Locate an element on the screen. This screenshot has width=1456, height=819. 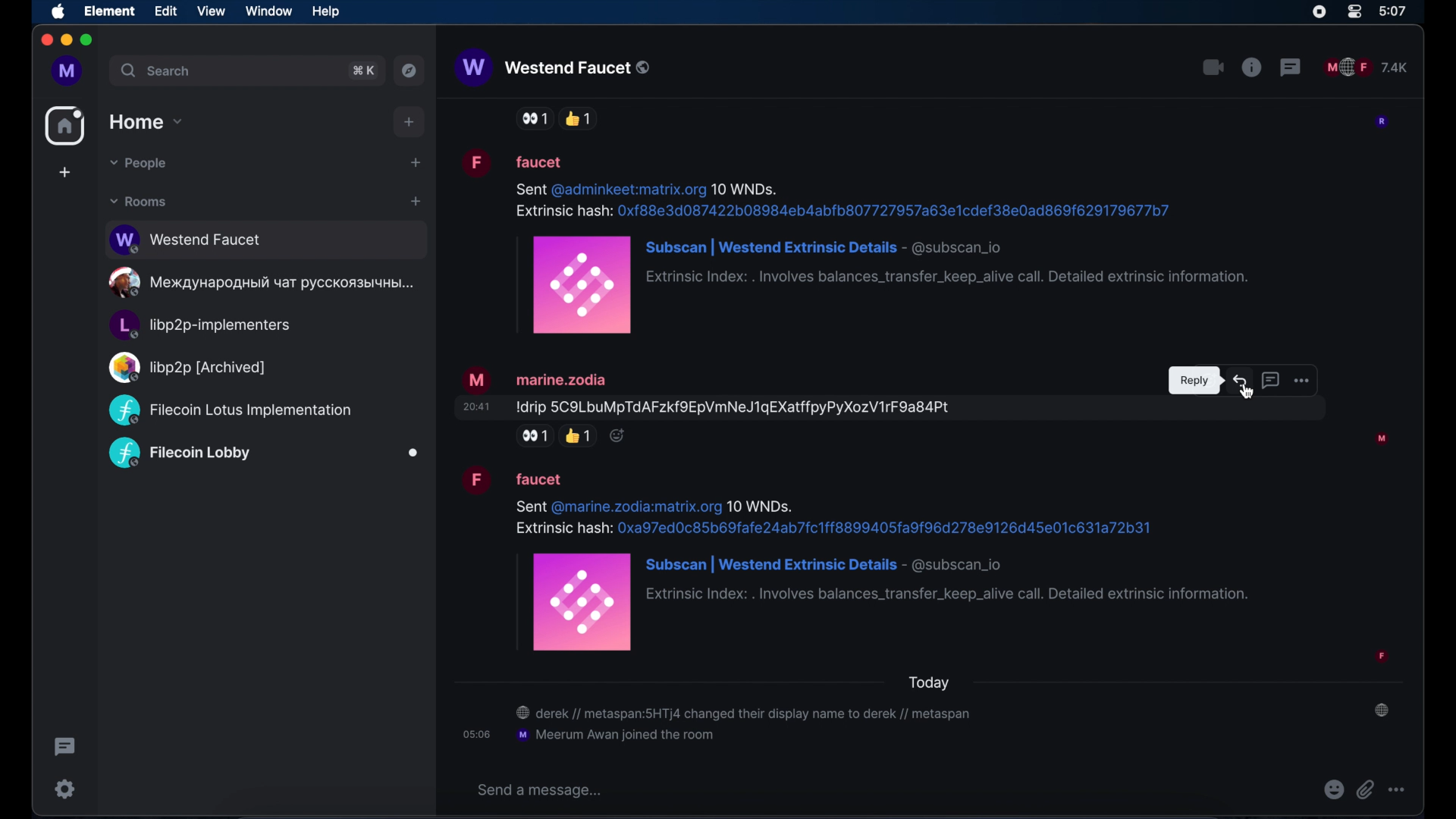
participant profile picture is located at coordinates (1381, 655).